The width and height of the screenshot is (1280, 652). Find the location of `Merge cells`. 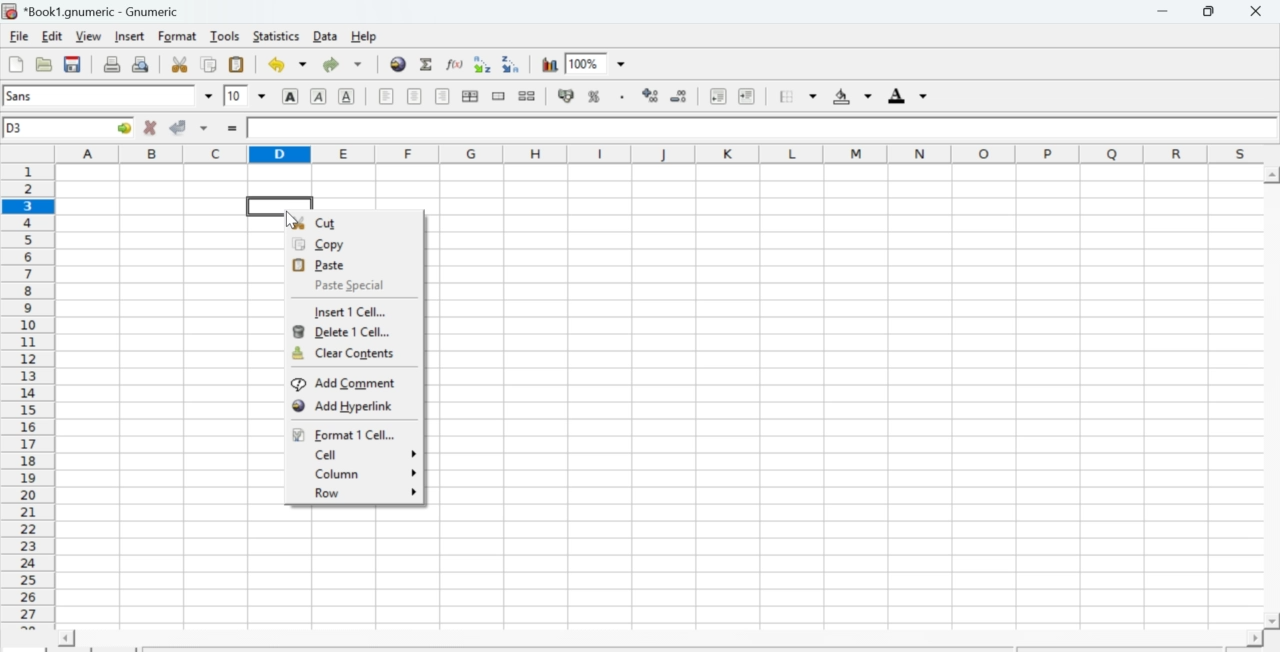

Merge cells is located at coordinates (500, 96).